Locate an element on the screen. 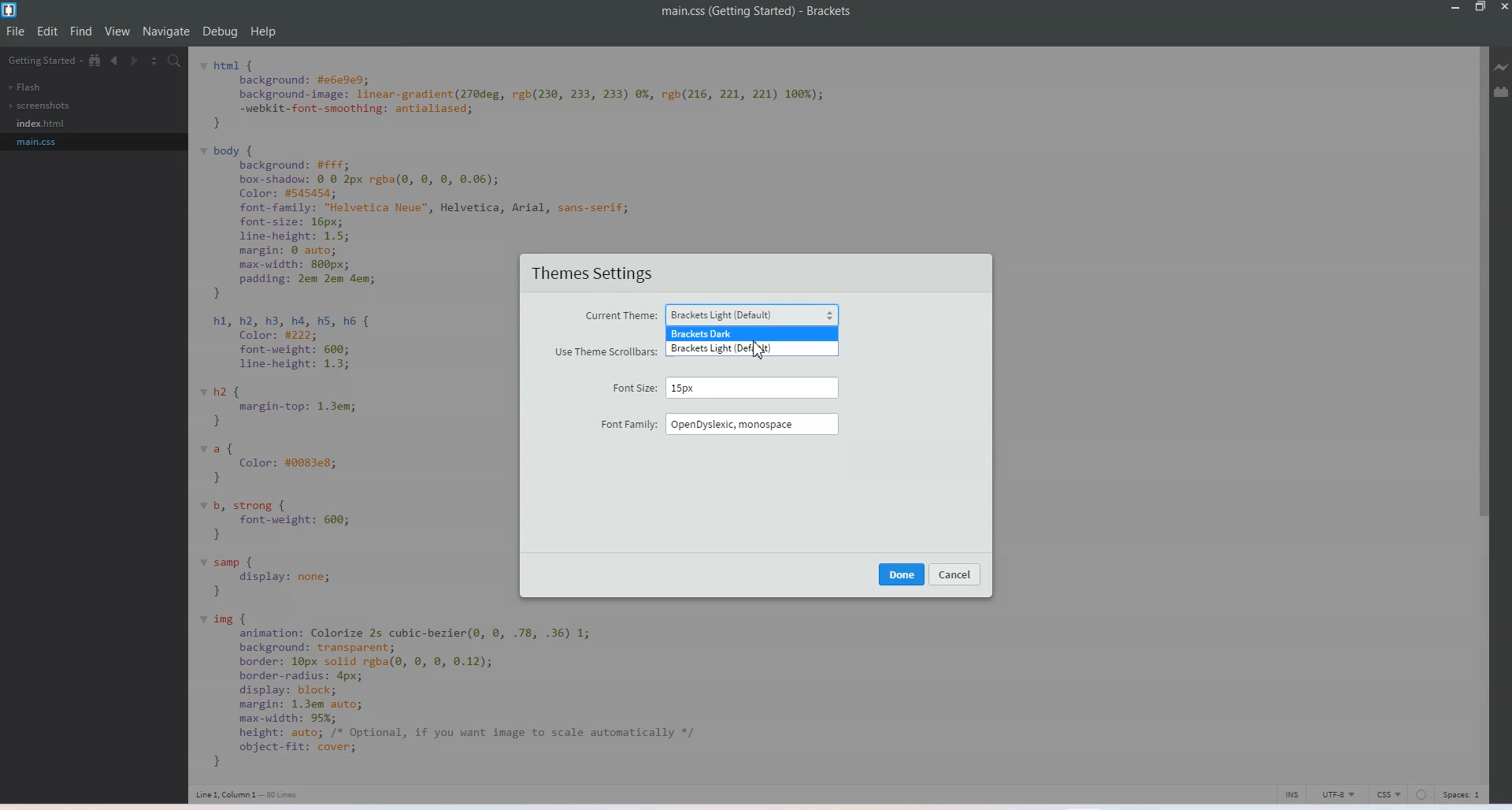  INS is located at coordinates (1292, 793).